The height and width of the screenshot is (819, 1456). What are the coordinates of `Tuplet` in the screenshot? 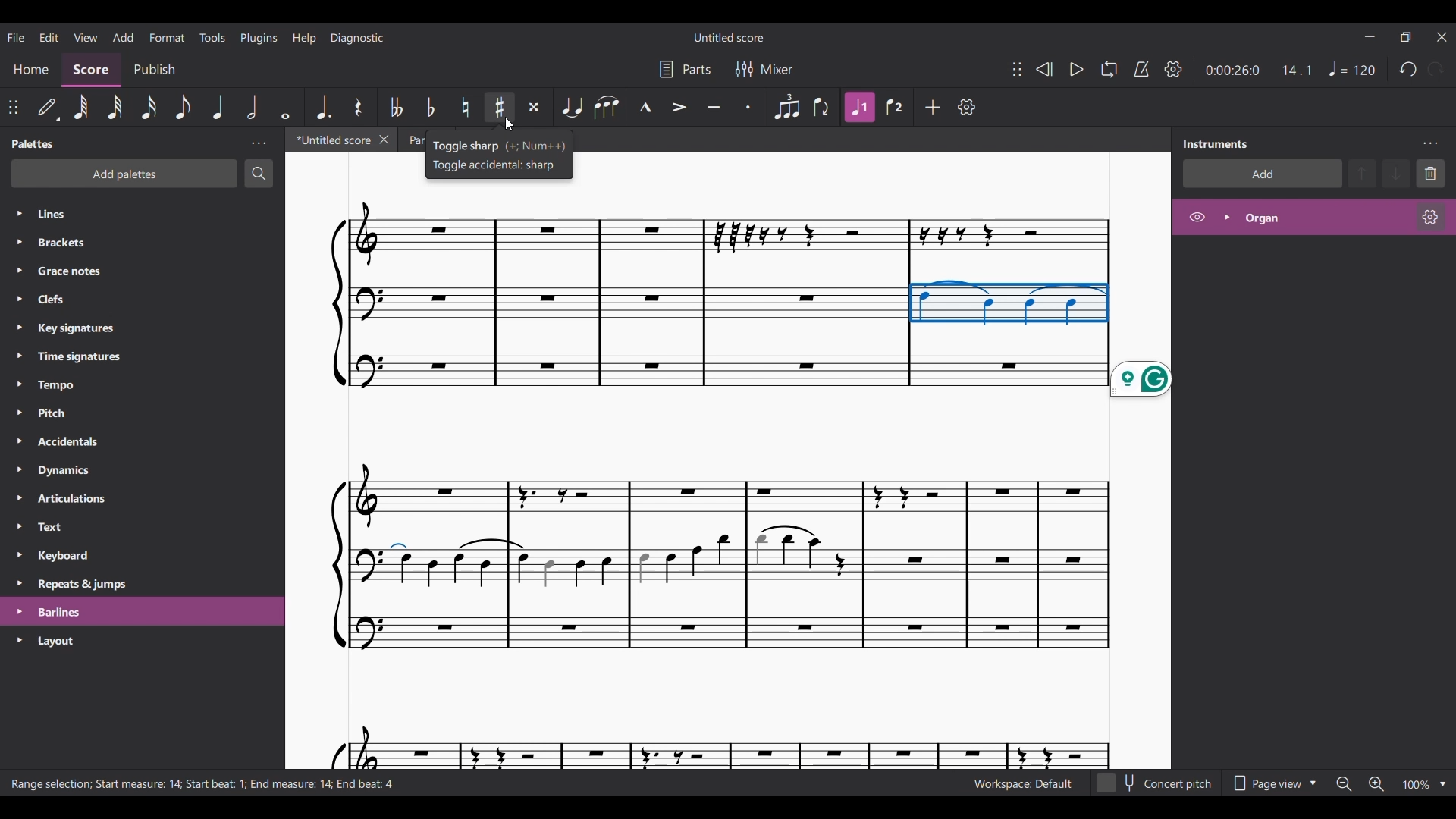 It's located at (786, 107).